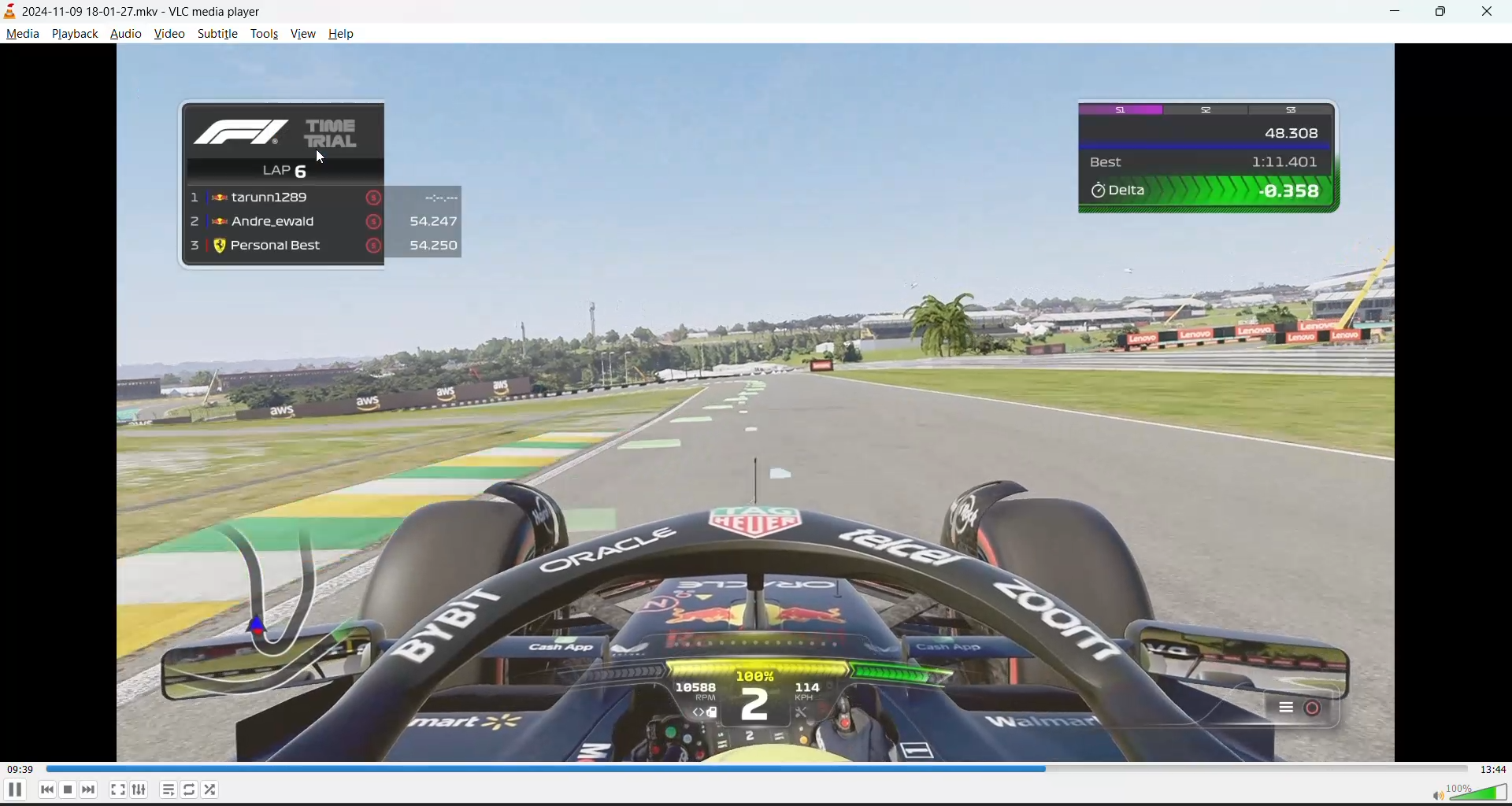 The width and height of the screenshot is (1512, 806). I want to click on cursor, so click(324, 156).